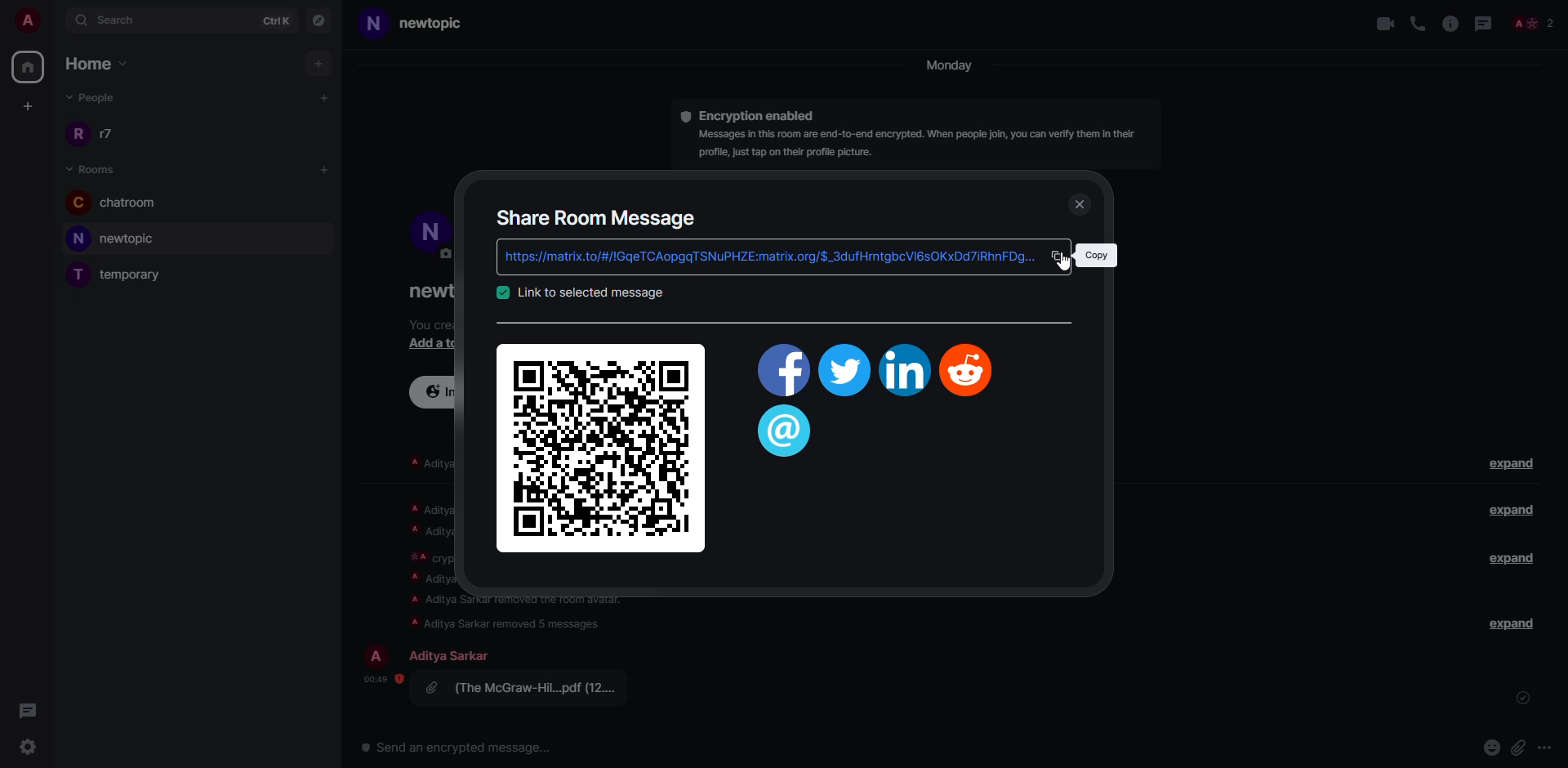  What do you see at coordinates (320, 64) in the screenshot?
I see `add` at bounding box center [320, 64].